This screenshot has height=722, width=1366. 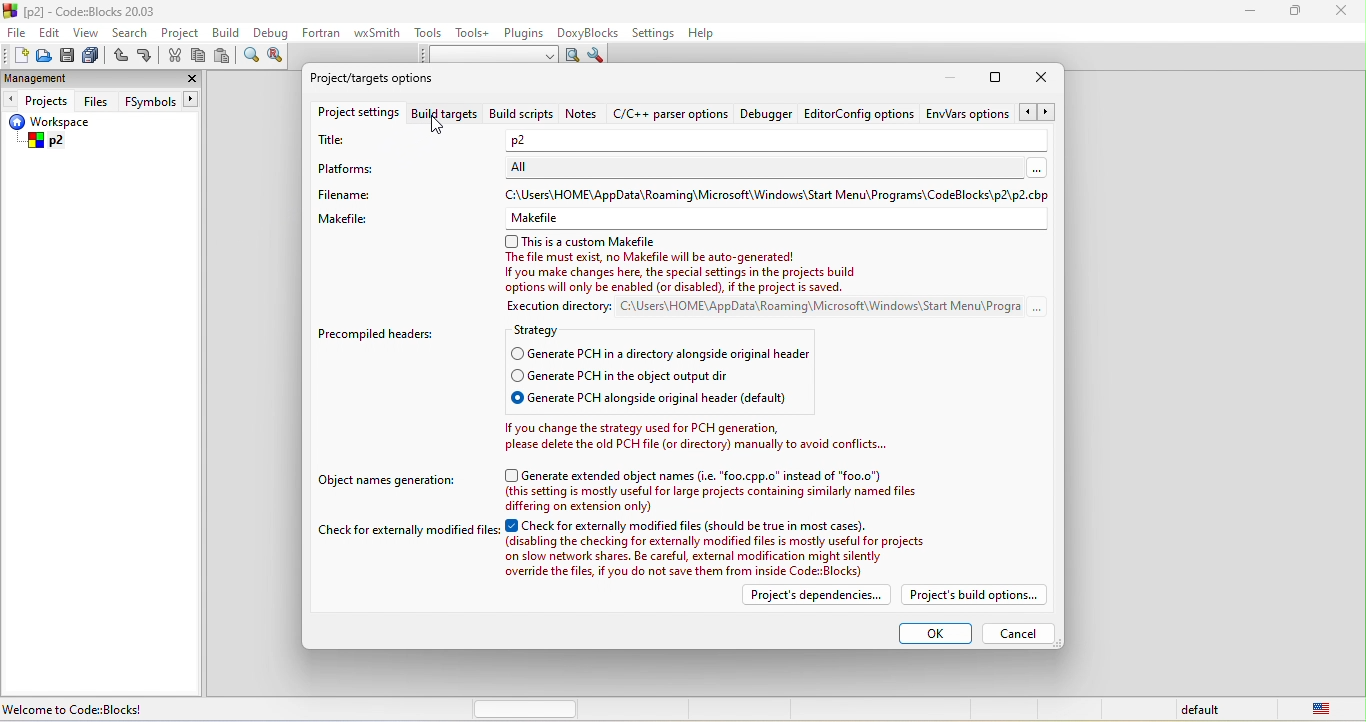 I want to click on object names generation, so click(x=386, y=486).